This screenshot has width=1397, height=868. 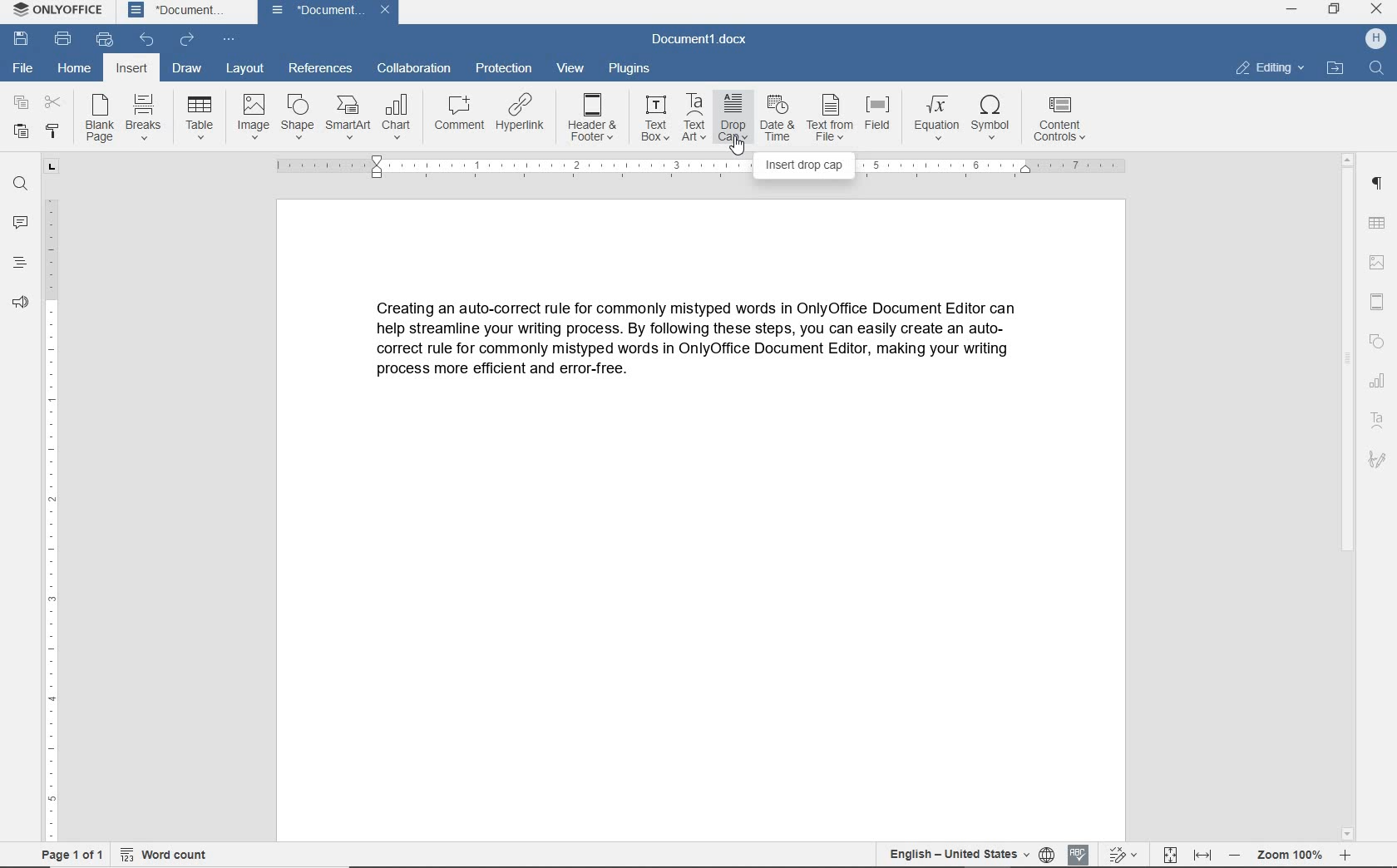 I want to click on insert image, so click(x=1380, y=261).